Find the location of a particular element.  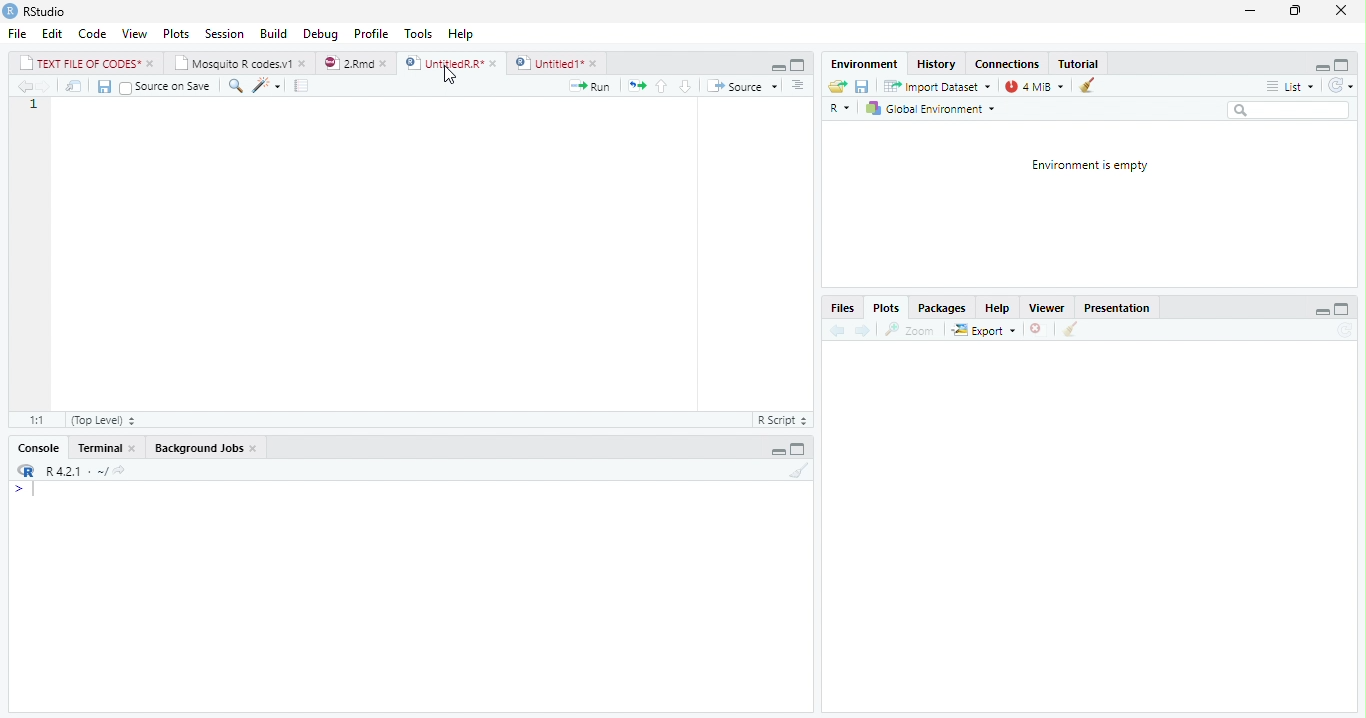

go back to the next source location is located at coordinates (50, 87).